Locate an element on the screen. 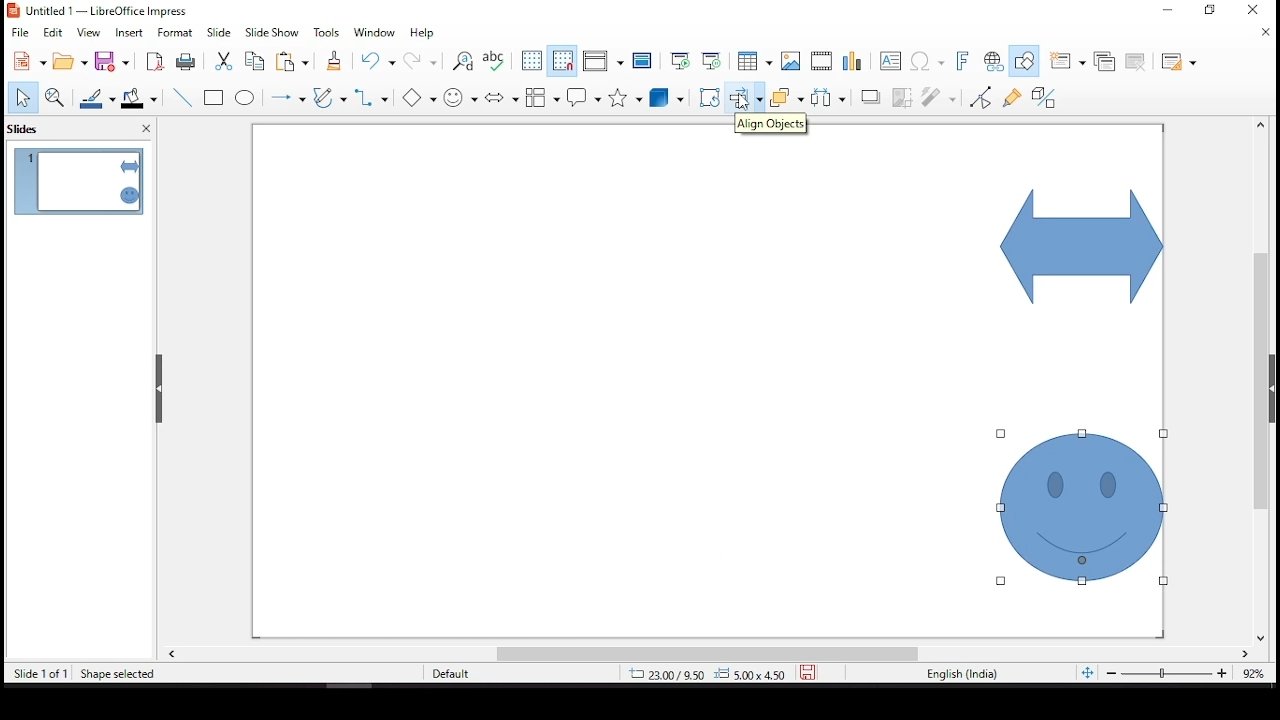  close pane is located at coordinates (148, 128).